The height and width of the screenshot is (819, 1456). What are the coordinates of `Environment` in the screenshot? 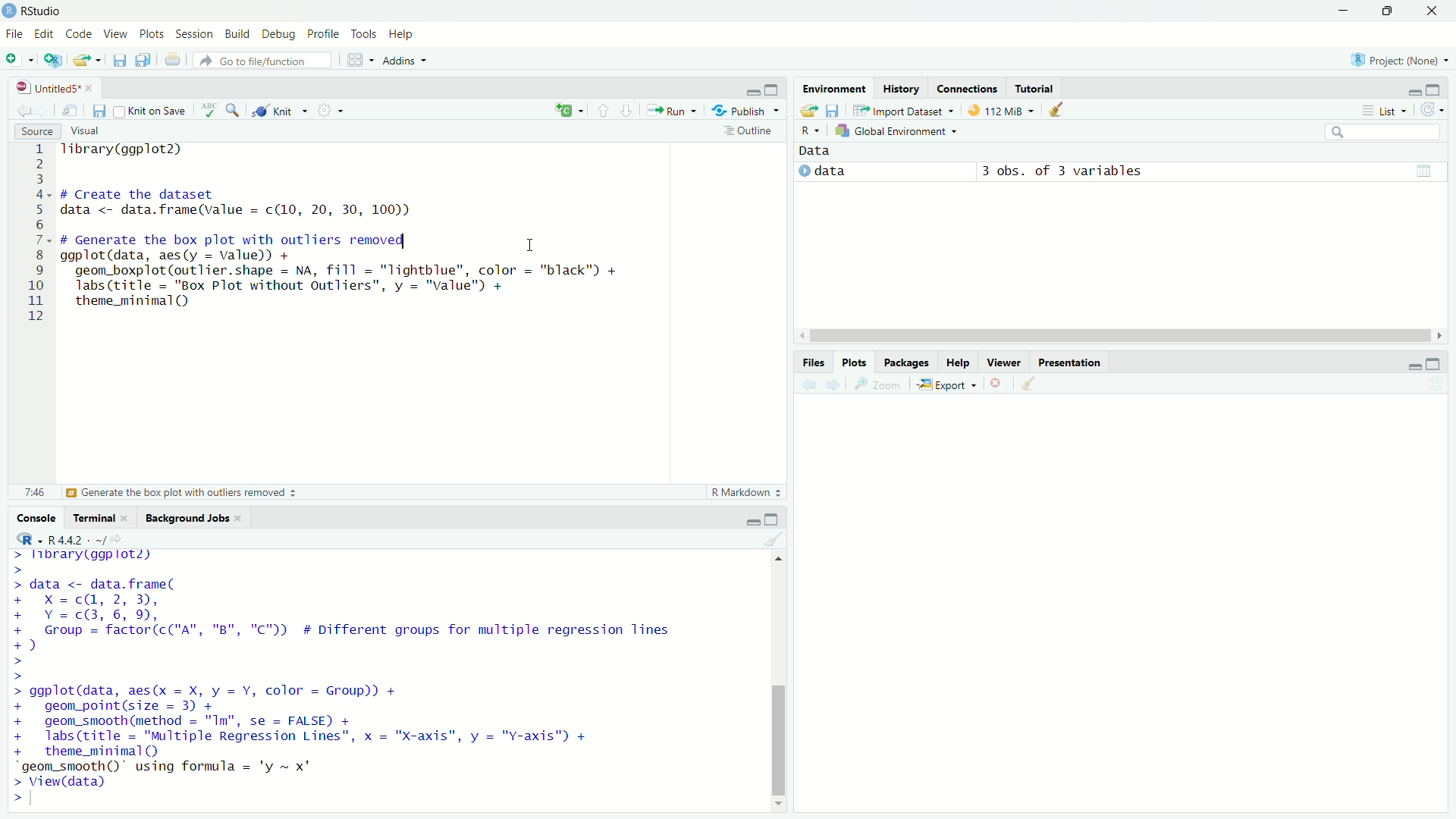 It's located at (832, 88).